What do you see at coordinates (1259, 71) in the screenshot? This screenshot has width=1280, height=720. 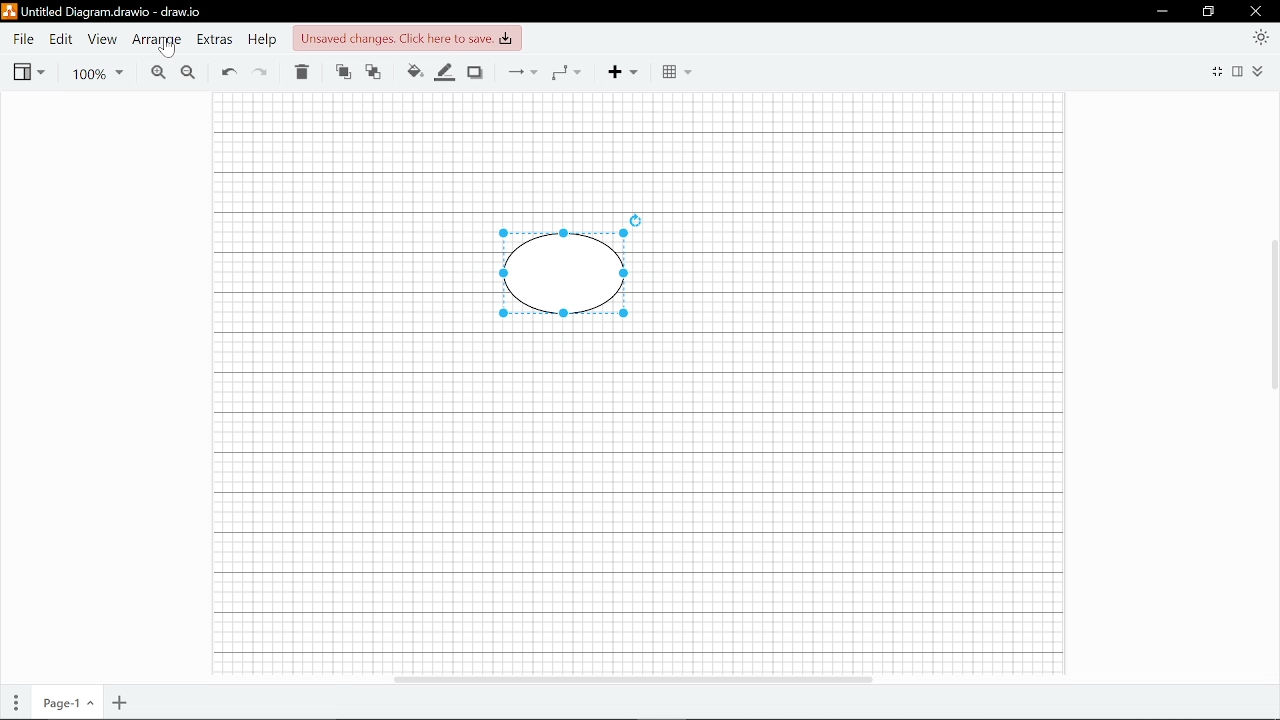 I see `Expand/collapse` at bounding box center [1259, 71].